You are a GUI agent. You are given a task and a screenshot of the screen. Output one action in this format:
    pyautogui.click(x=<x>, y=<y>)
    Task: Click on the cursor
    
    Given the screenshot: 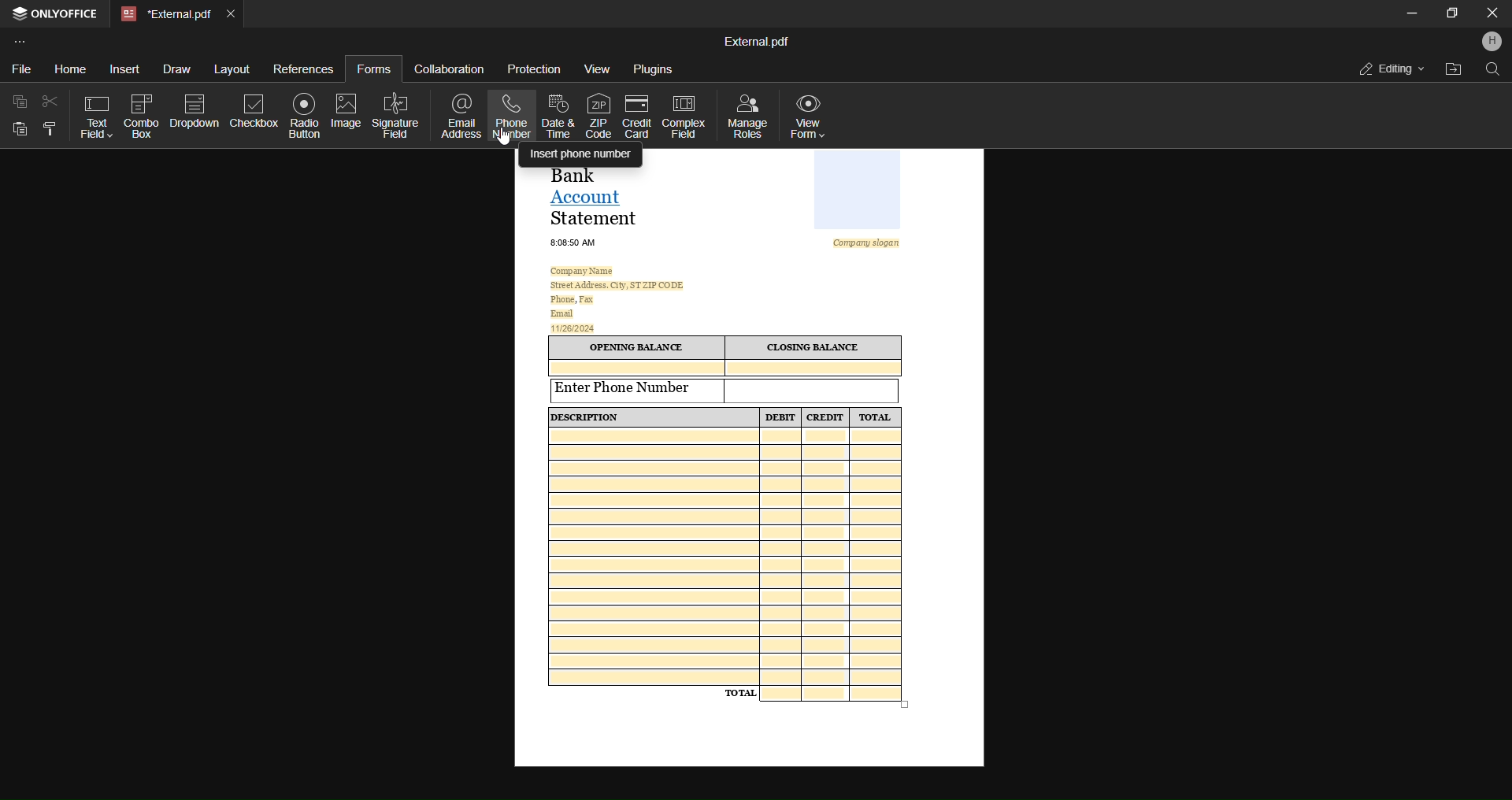 What is the action you would take?
    pyautogui.click(x=505, y=136)
    